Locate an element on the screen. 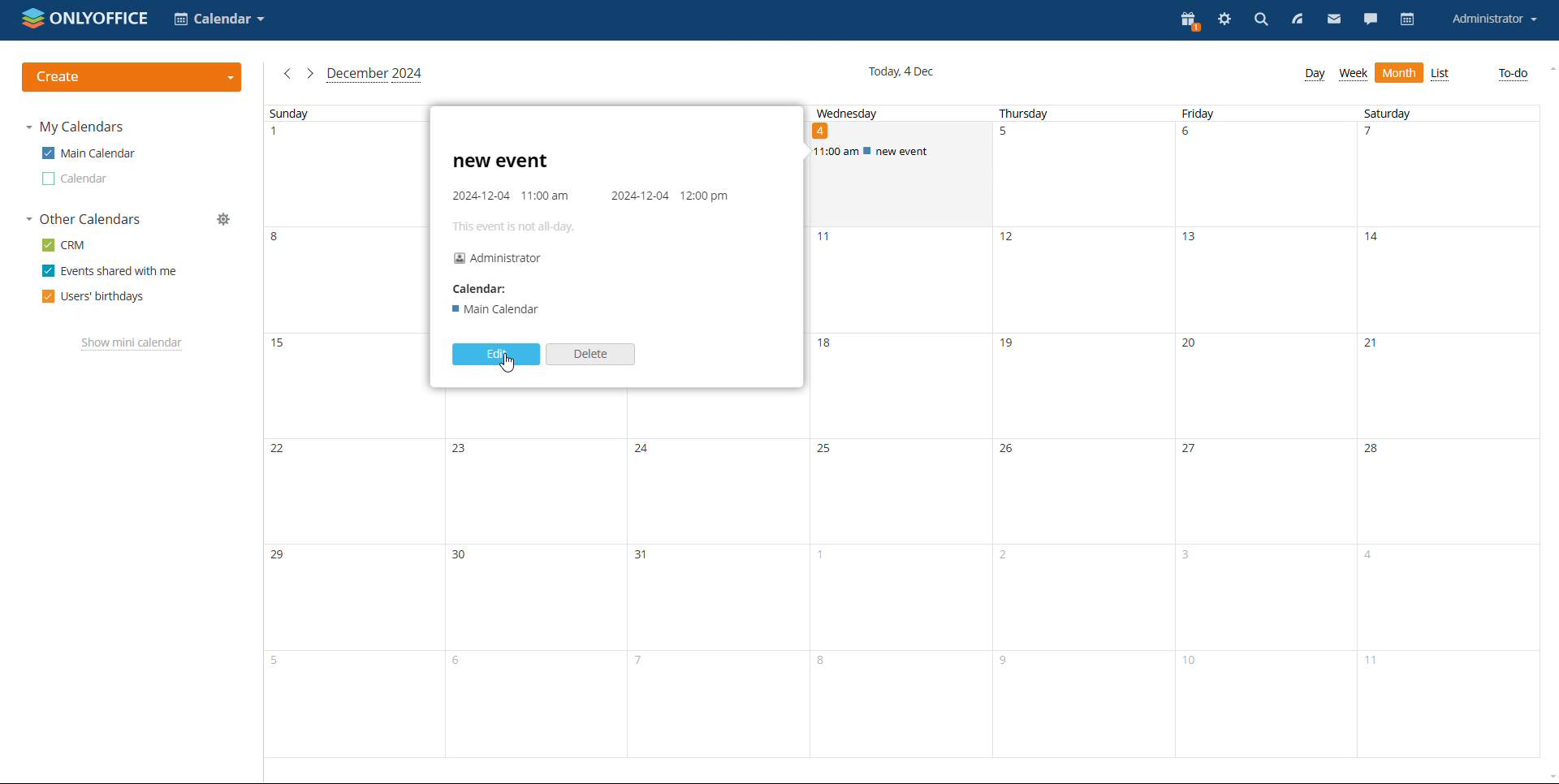 The width and height of the screenshot is (1559, 784). saturday is located at coordinates (1445, 431).